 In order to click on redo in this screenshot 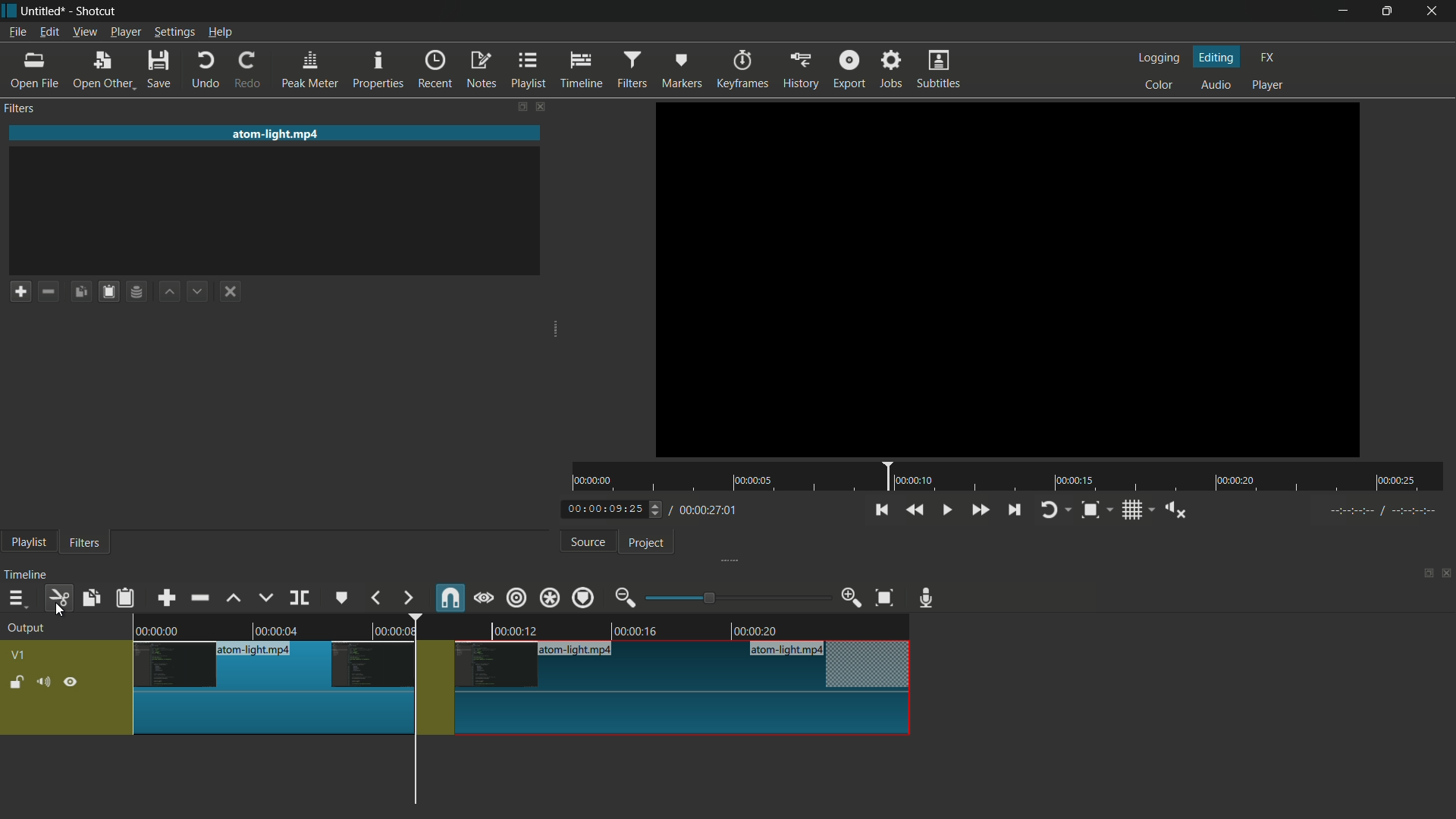, I will do `click(251, 71)`.